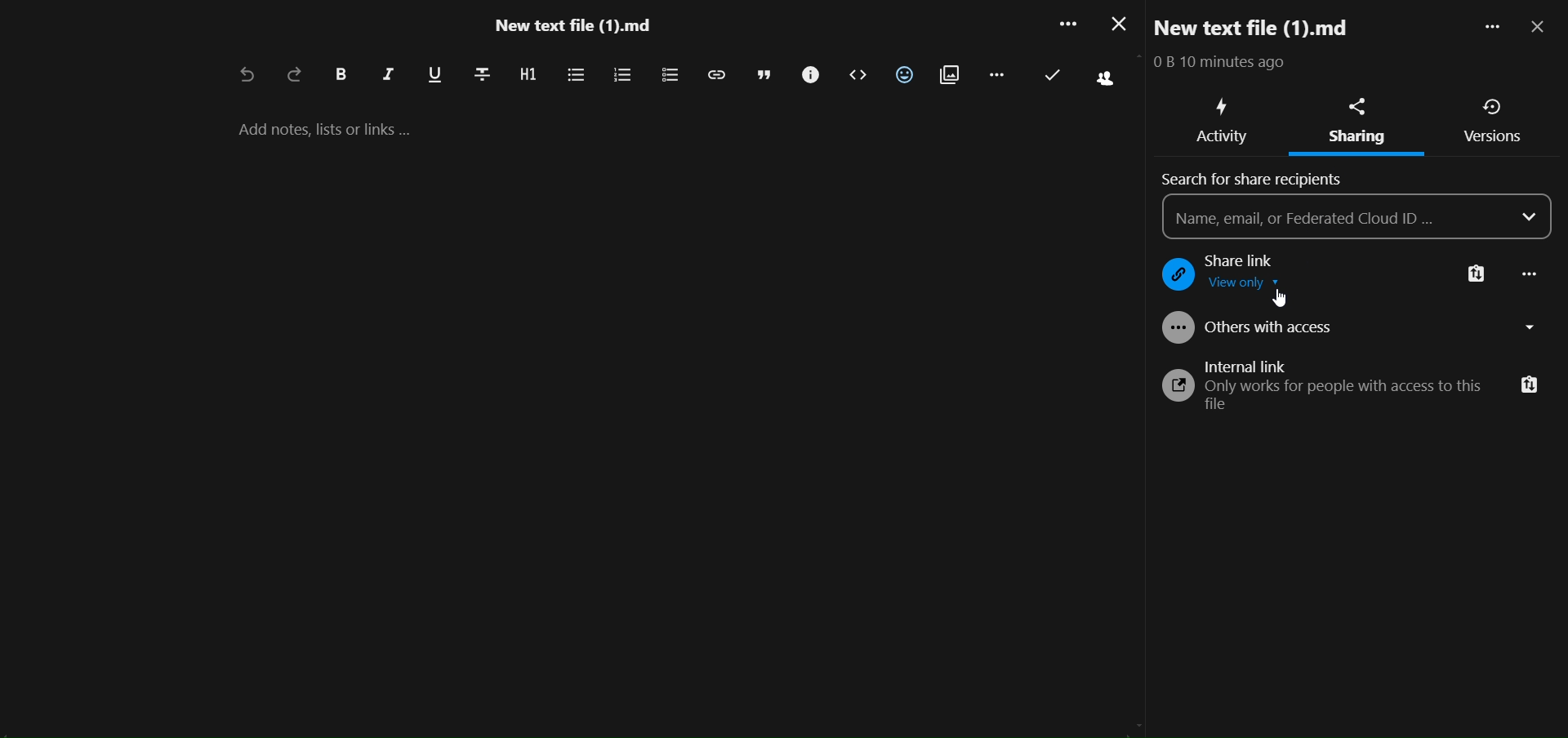 This screenshot has height=738, width=1568. I want to click on add notes, so click(342, 129).